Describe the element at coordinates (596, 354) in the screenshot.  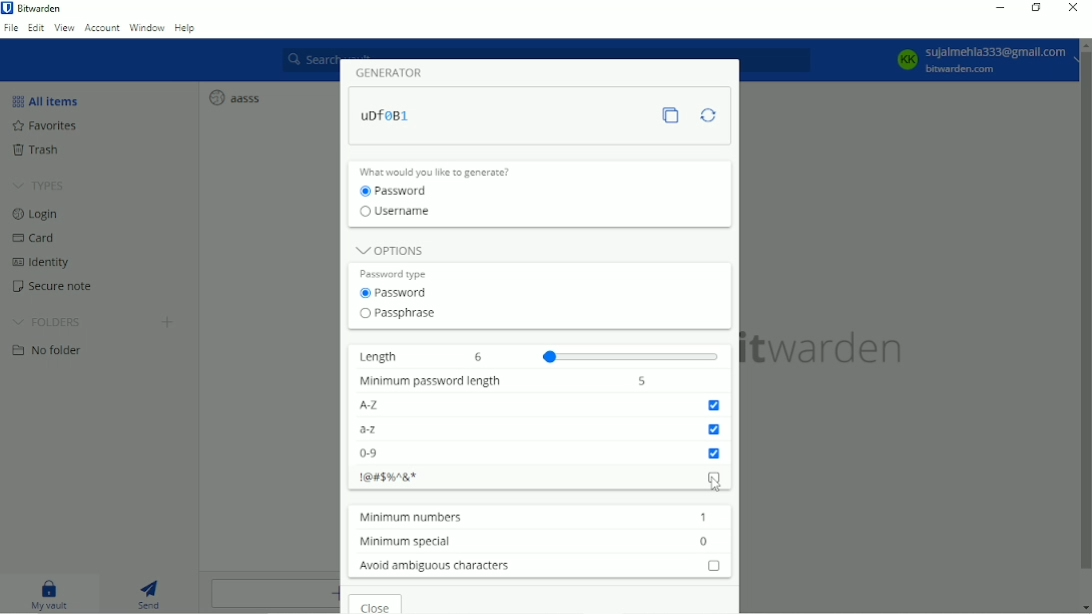
I see `length slider` at that location.